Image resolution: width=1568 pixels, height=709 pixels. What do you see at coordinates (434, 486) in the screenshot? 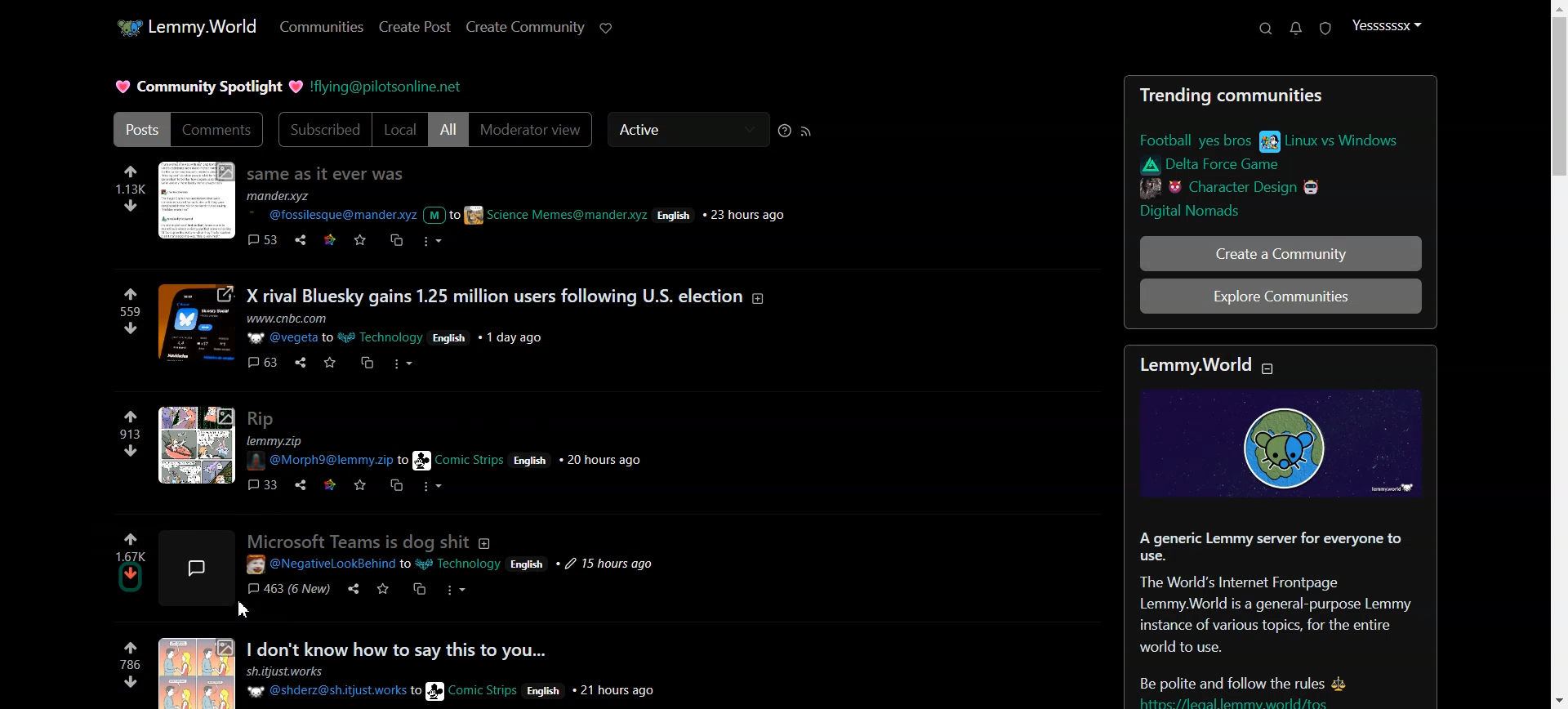
I see `more` at bounding box center [434, 486].